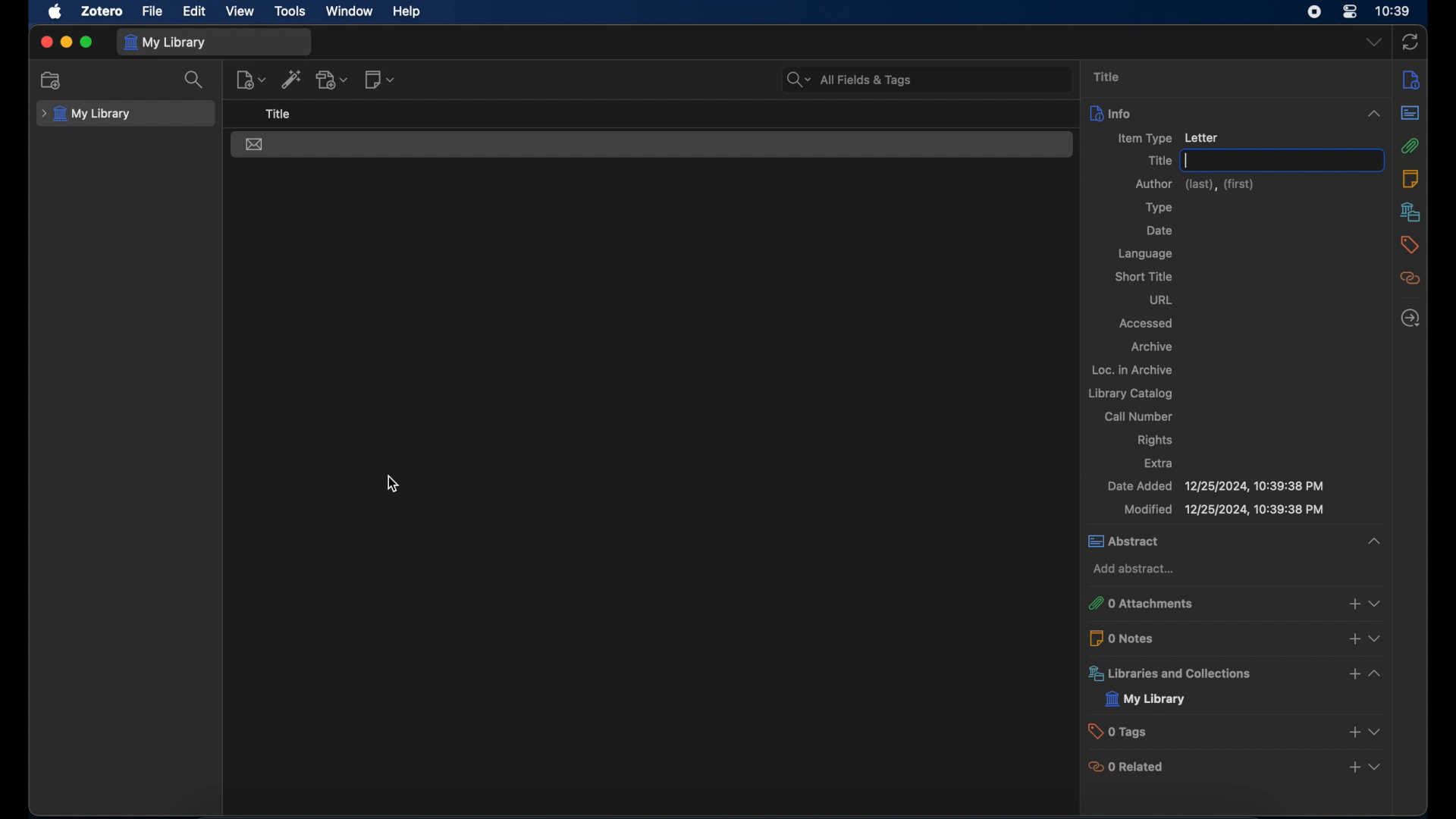 The width and height of the screenshot is (1456, 819). I want to click on time, so click(1393, 11).